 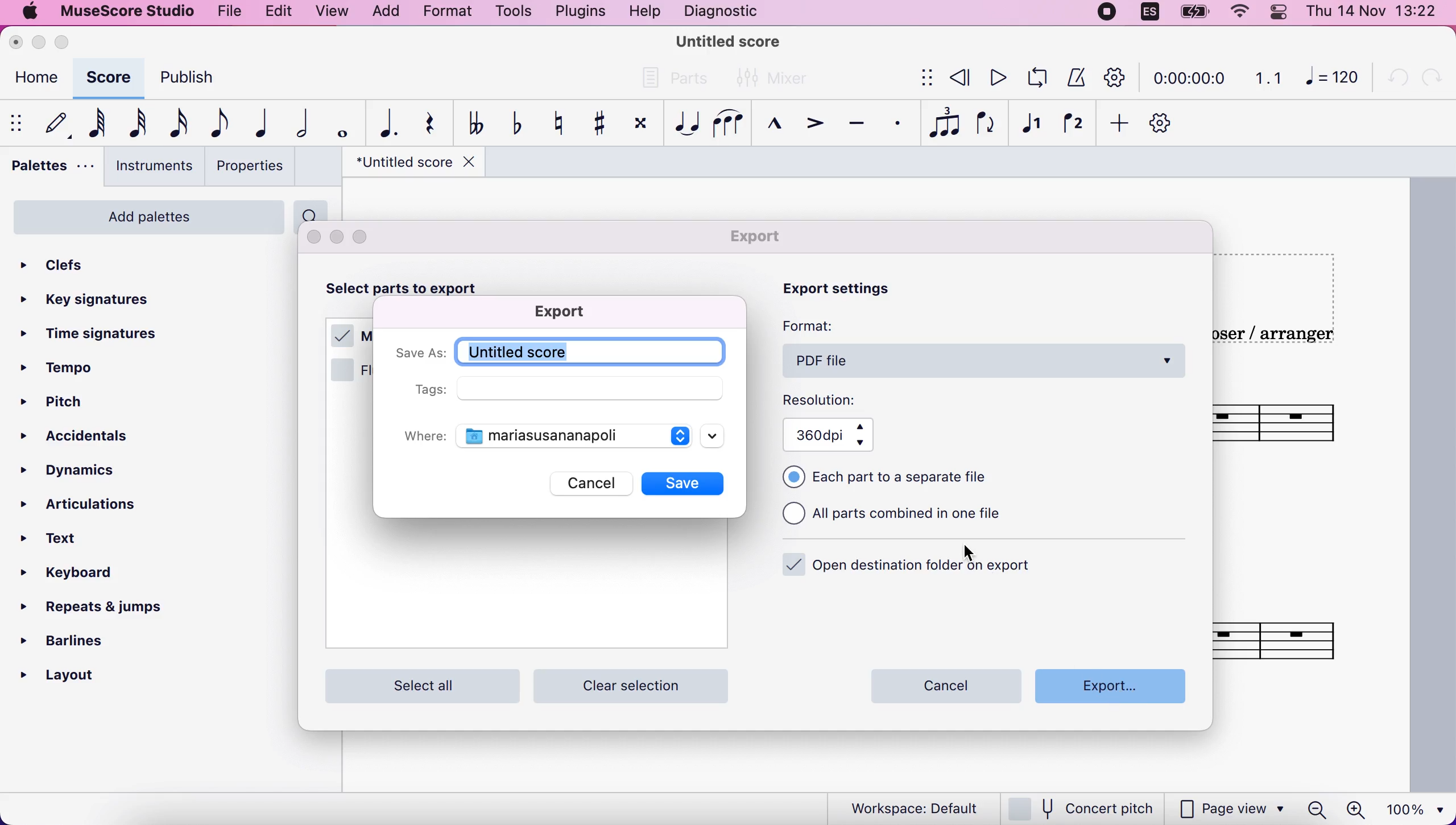 I want to click on minimize, so click(x=337, y=236).